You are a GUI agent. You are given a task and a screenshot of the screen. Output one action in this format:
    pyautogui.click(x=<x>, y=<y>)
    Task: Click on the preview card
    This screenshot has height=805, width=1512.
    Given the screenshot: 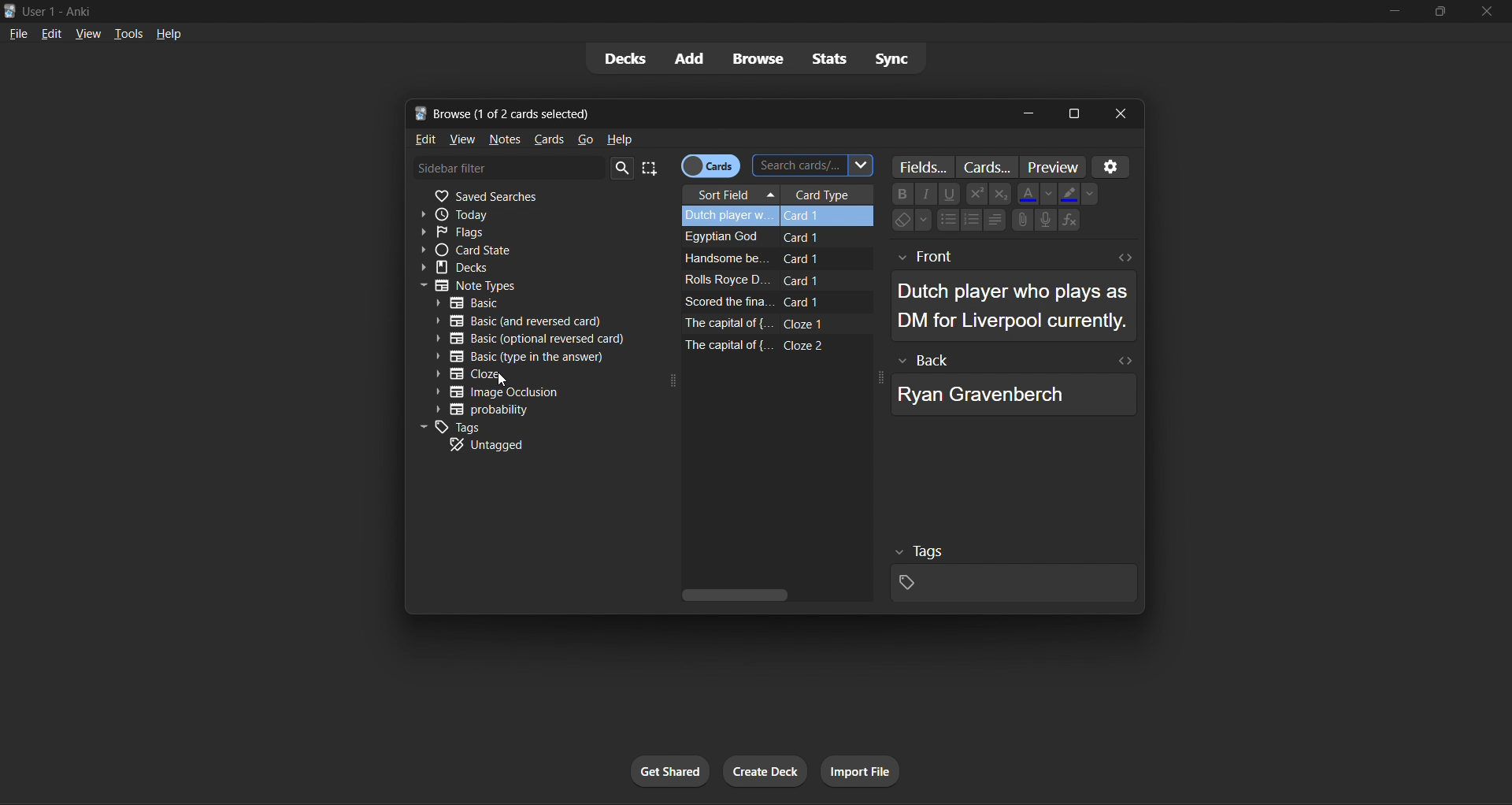 What is the action you would take?
    pyautogui.click(x=1051, y=165)
    